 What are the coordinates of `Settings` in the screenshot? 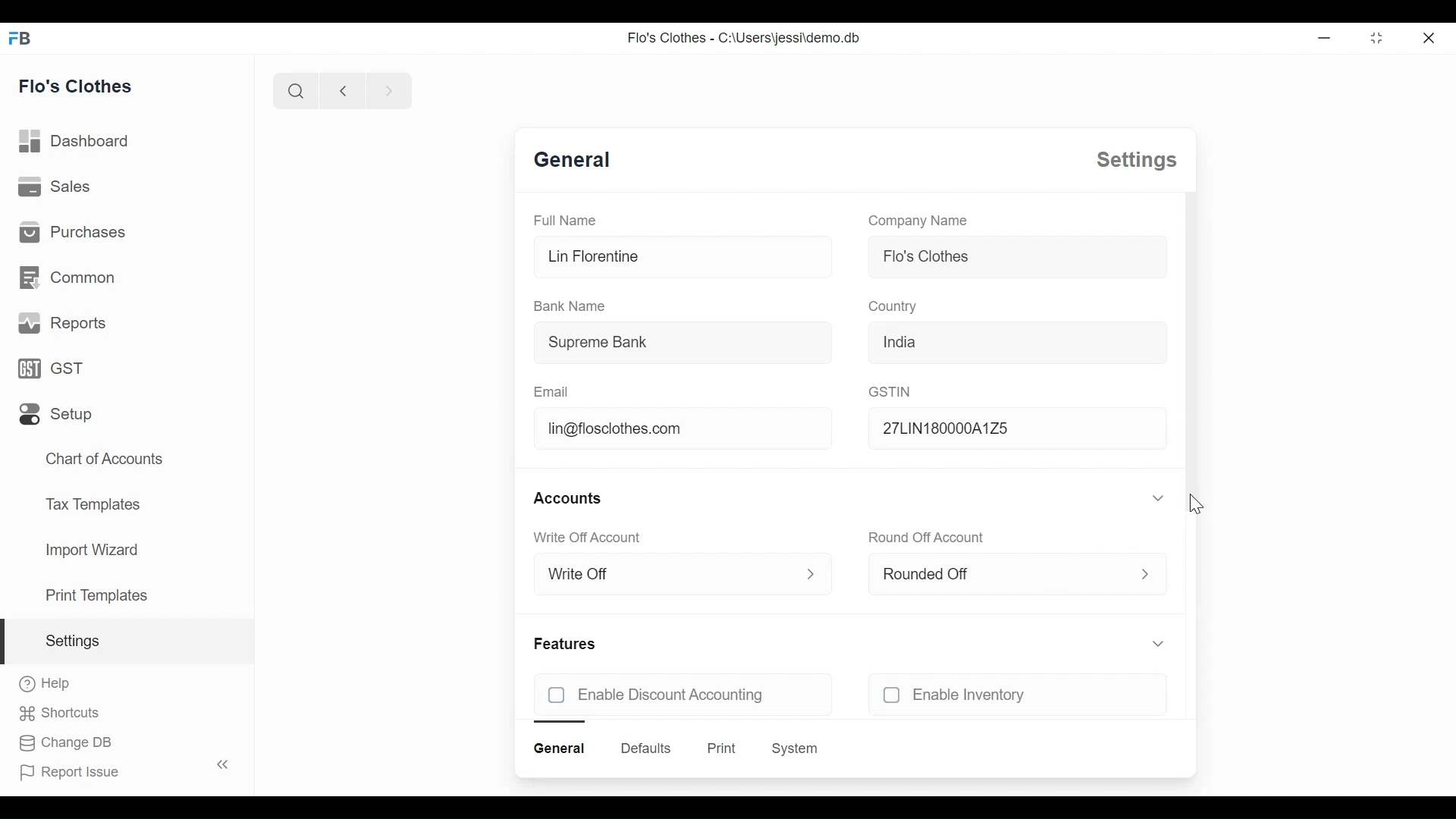 It's located at (1134, 160).